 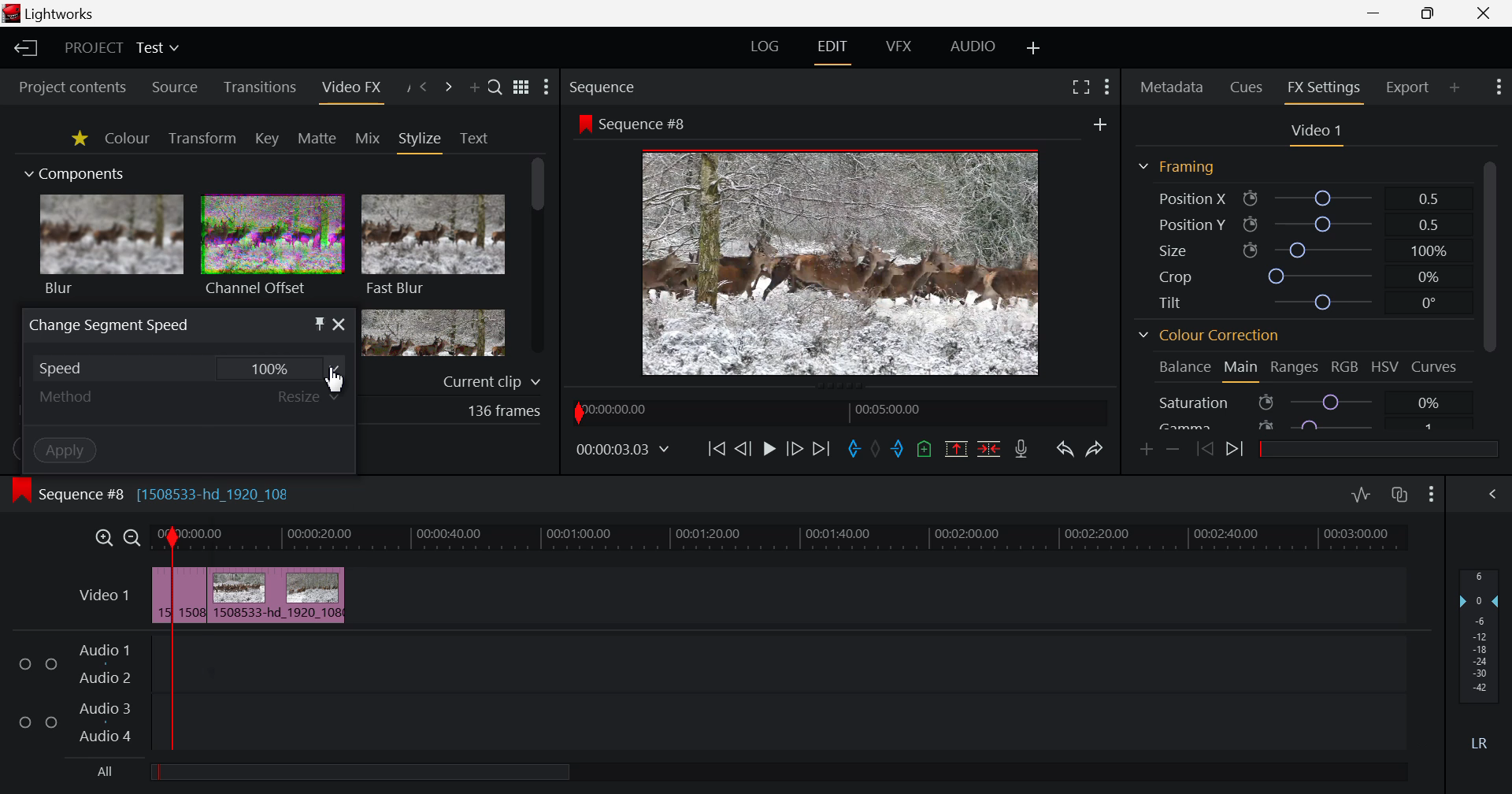 What do you see at coordinates (1093, 451) in the screenshot?
I see `Redo` at bounding box center [1093, 451].